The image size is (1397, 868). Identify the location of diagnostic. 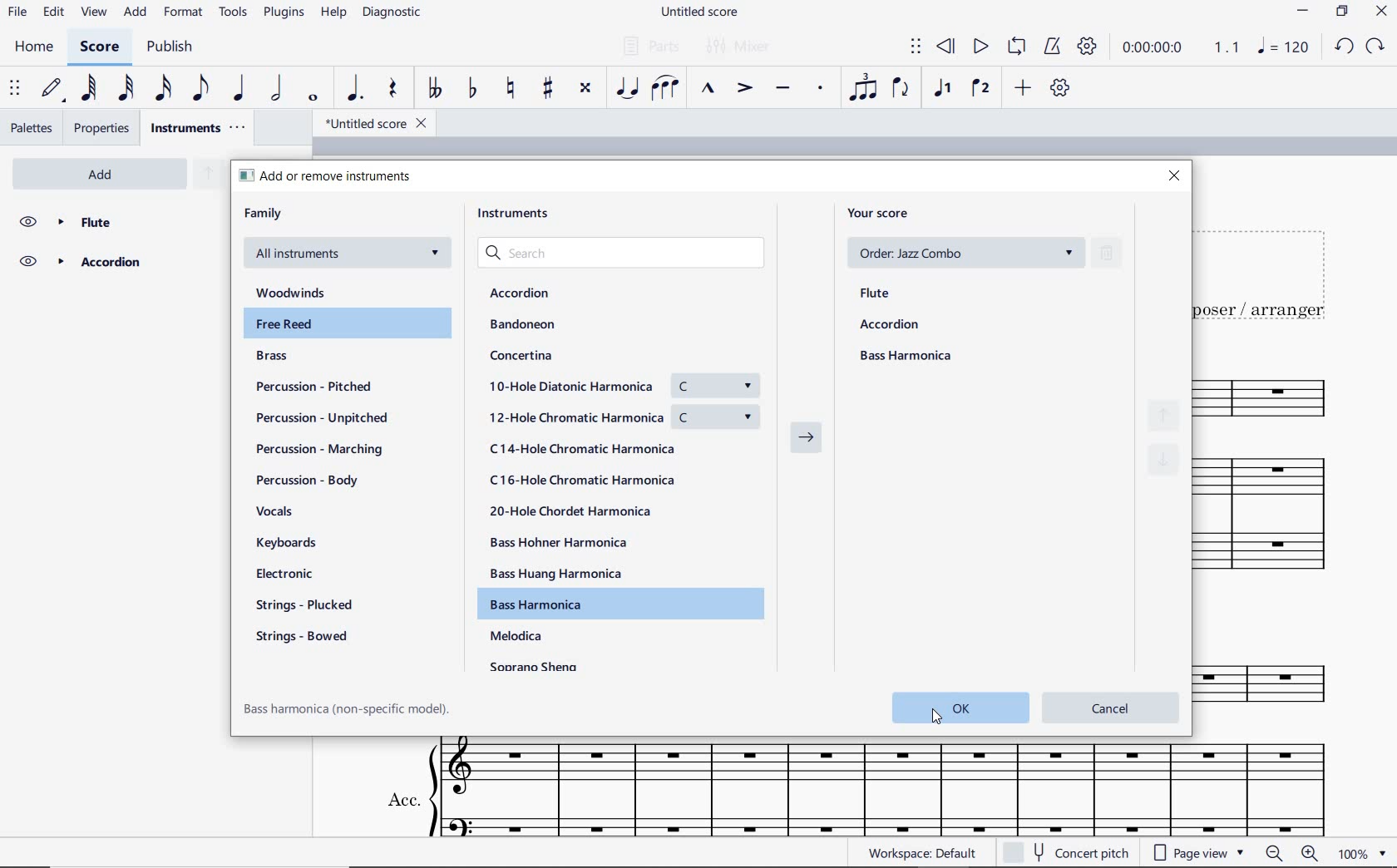
(392, 13).